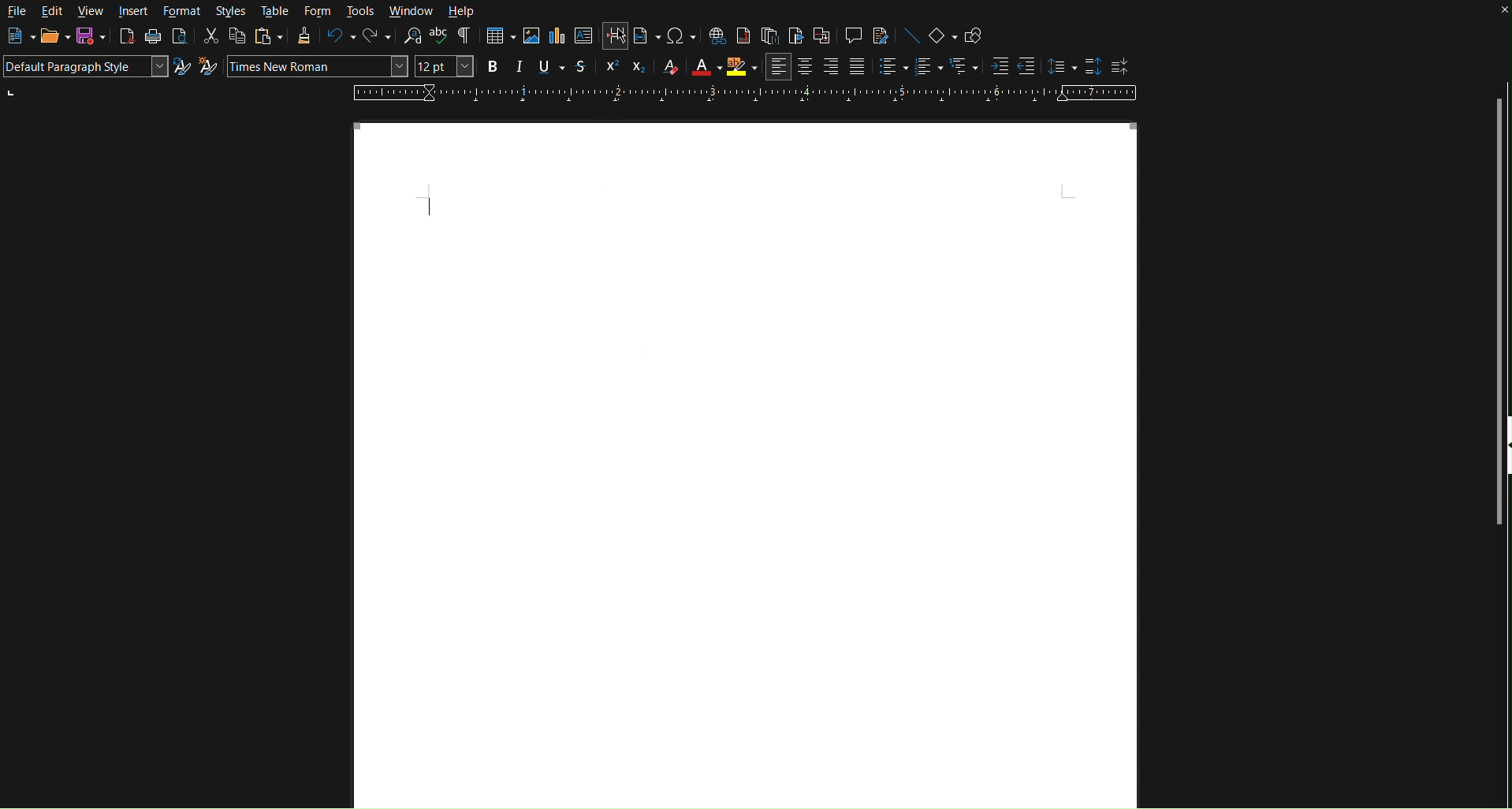 This screenshot has width=1512, height=809. What do you see at coordinates (701, 68) in the screenshot?
I see `Text Color` at bounding box center [701, 68].